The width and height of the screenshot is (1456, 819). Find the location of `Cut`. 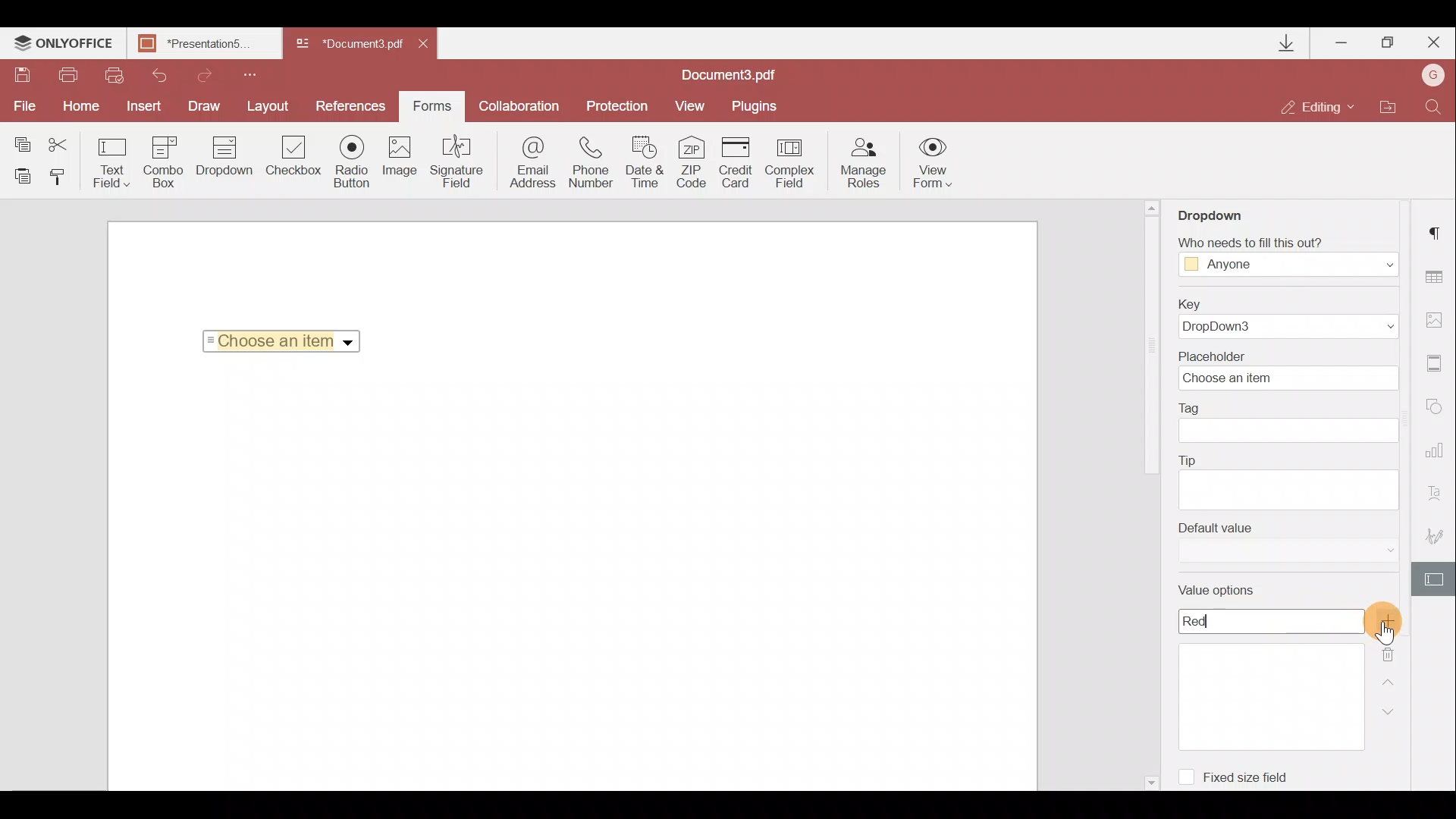

Cut is located at coordinates (60, 140).